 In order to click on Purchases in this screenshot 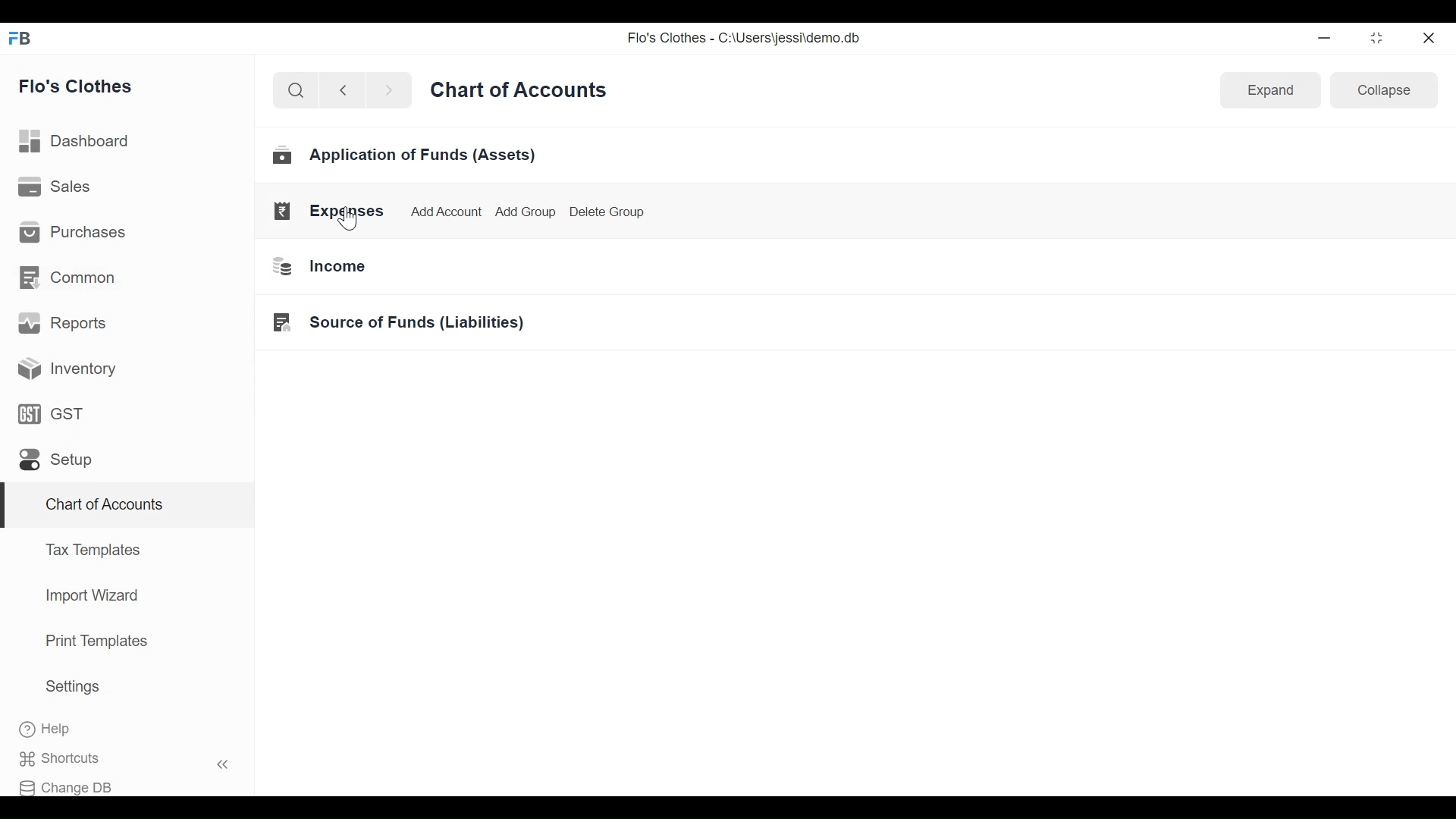, I will do `click(77, 234)`.